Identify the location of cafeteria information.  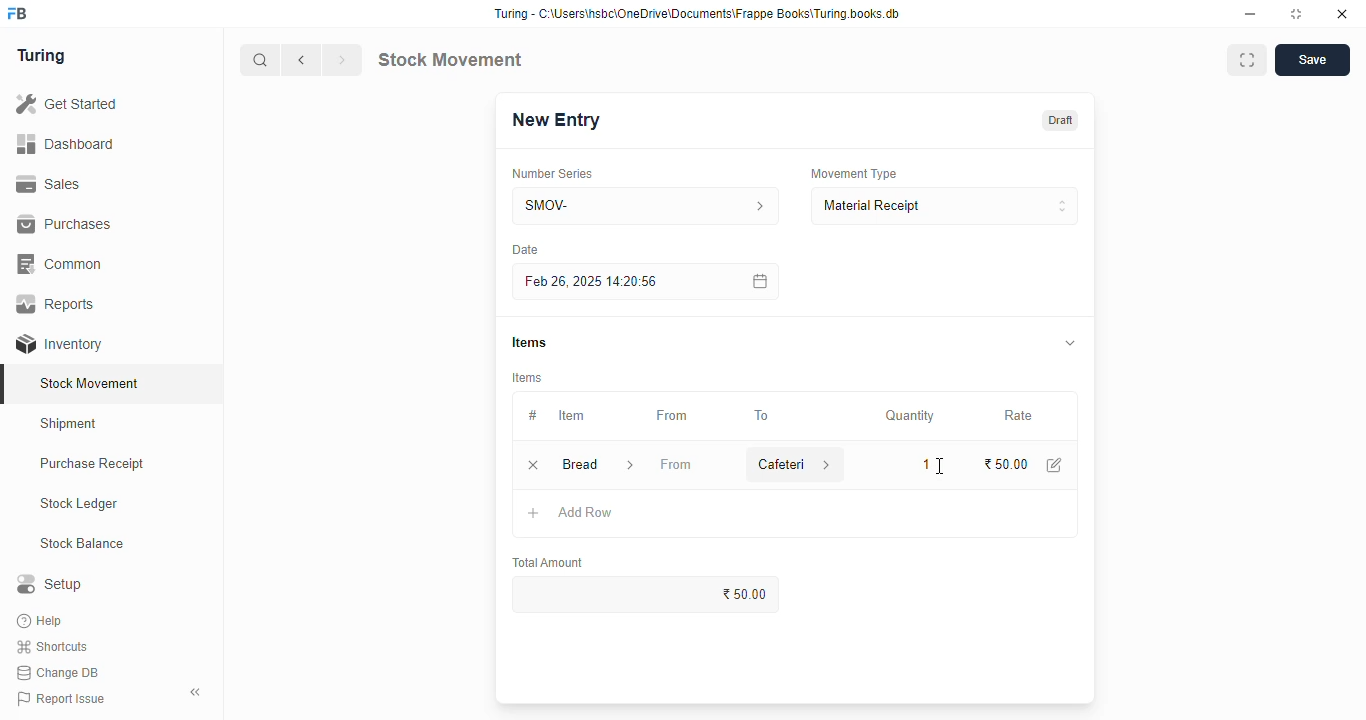
(828, 464).